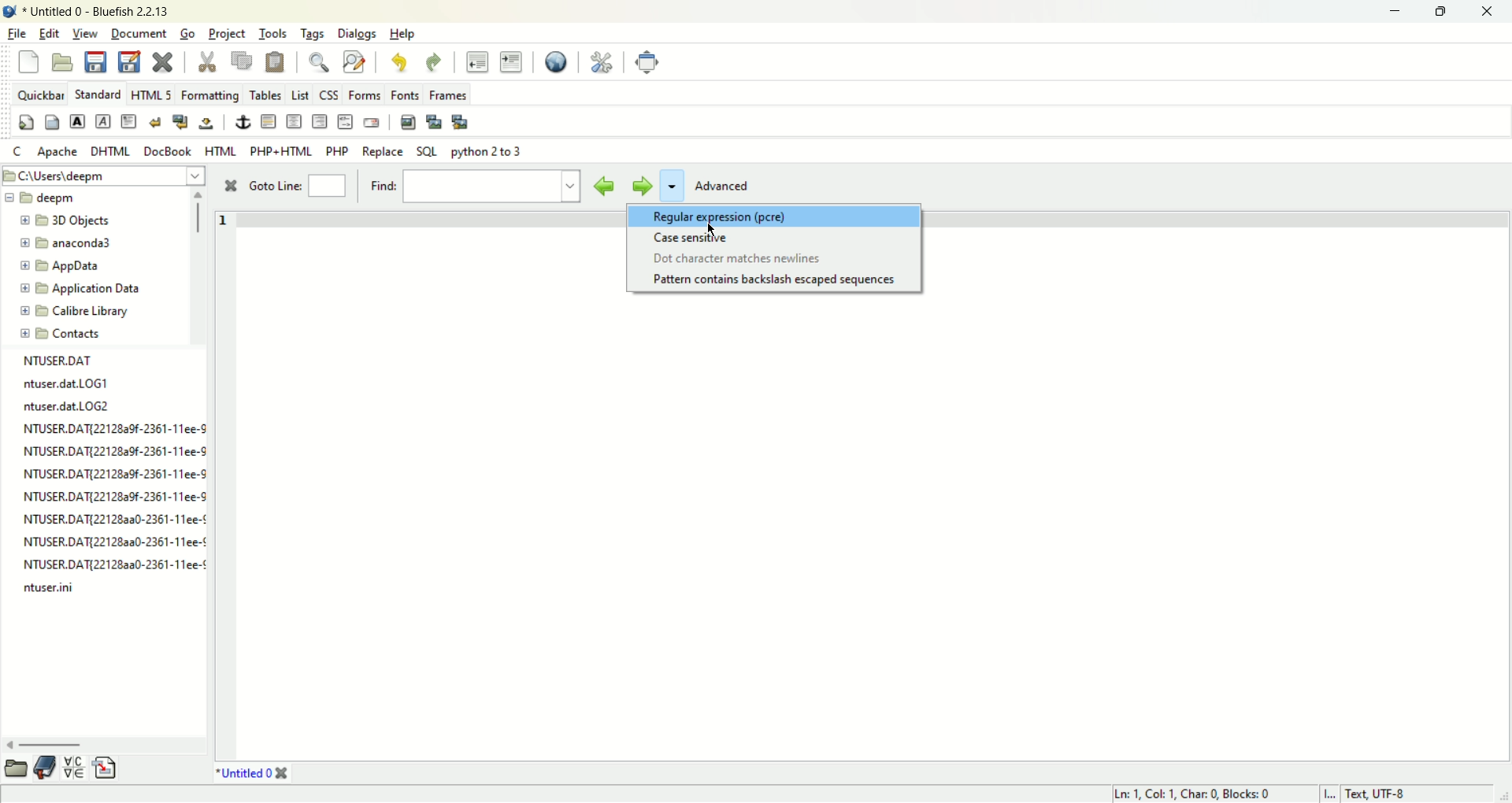  I want to click on formatting, so click(209, 98).